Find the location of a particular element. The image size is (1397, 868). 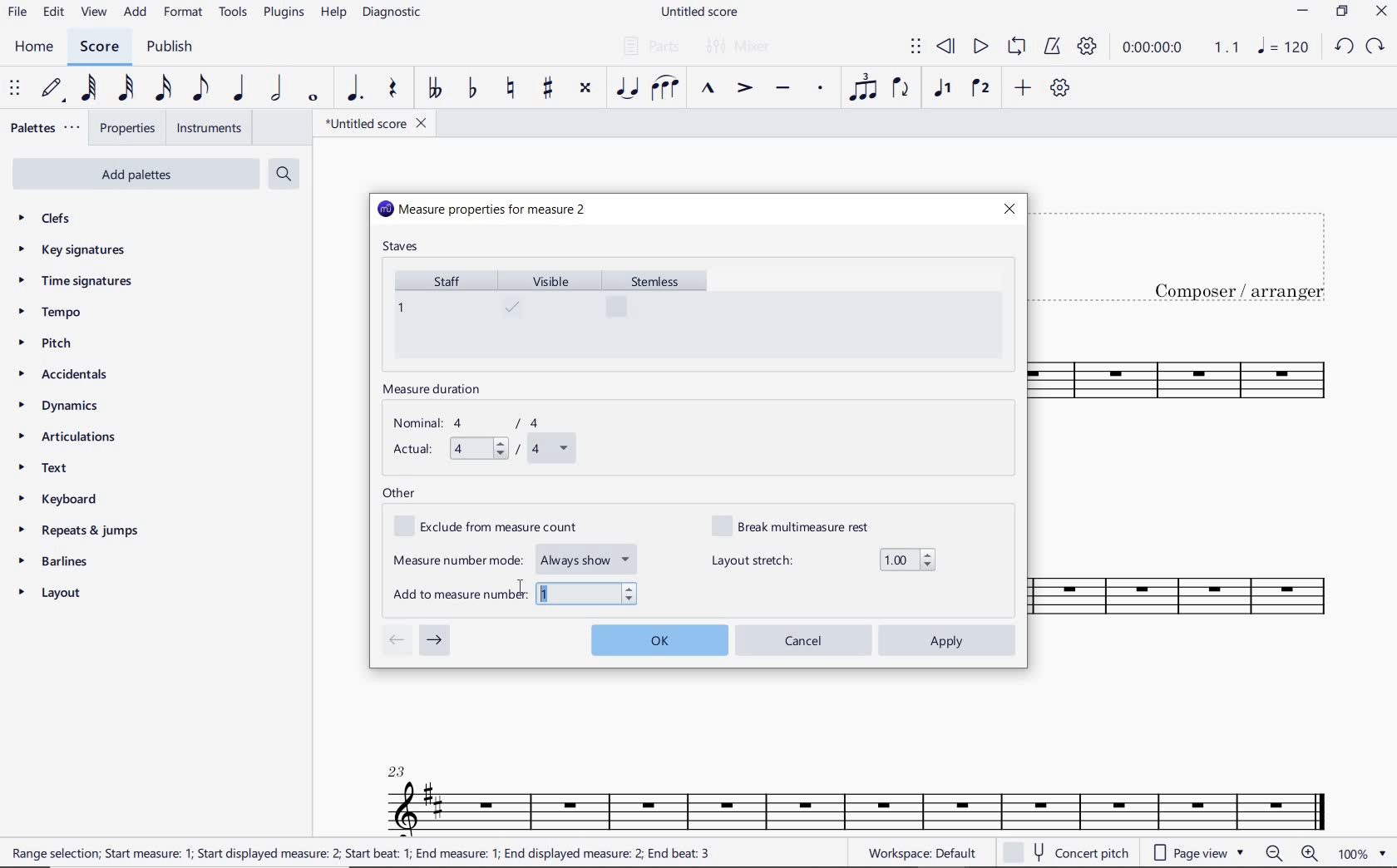

REST is located at coordinates (393, 91).